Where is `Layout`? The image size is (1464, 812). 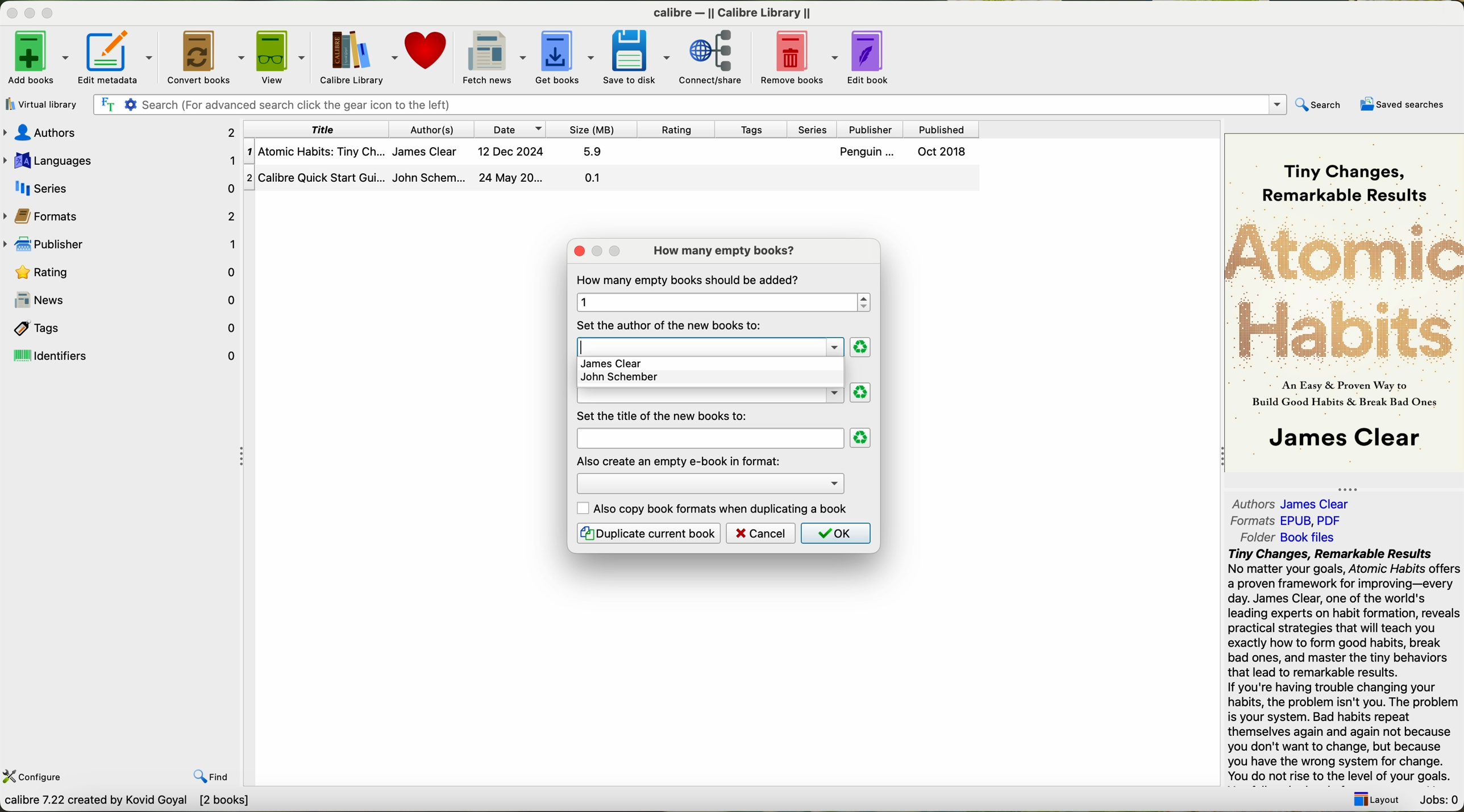 Layout is located at coordinates (1376, 800).